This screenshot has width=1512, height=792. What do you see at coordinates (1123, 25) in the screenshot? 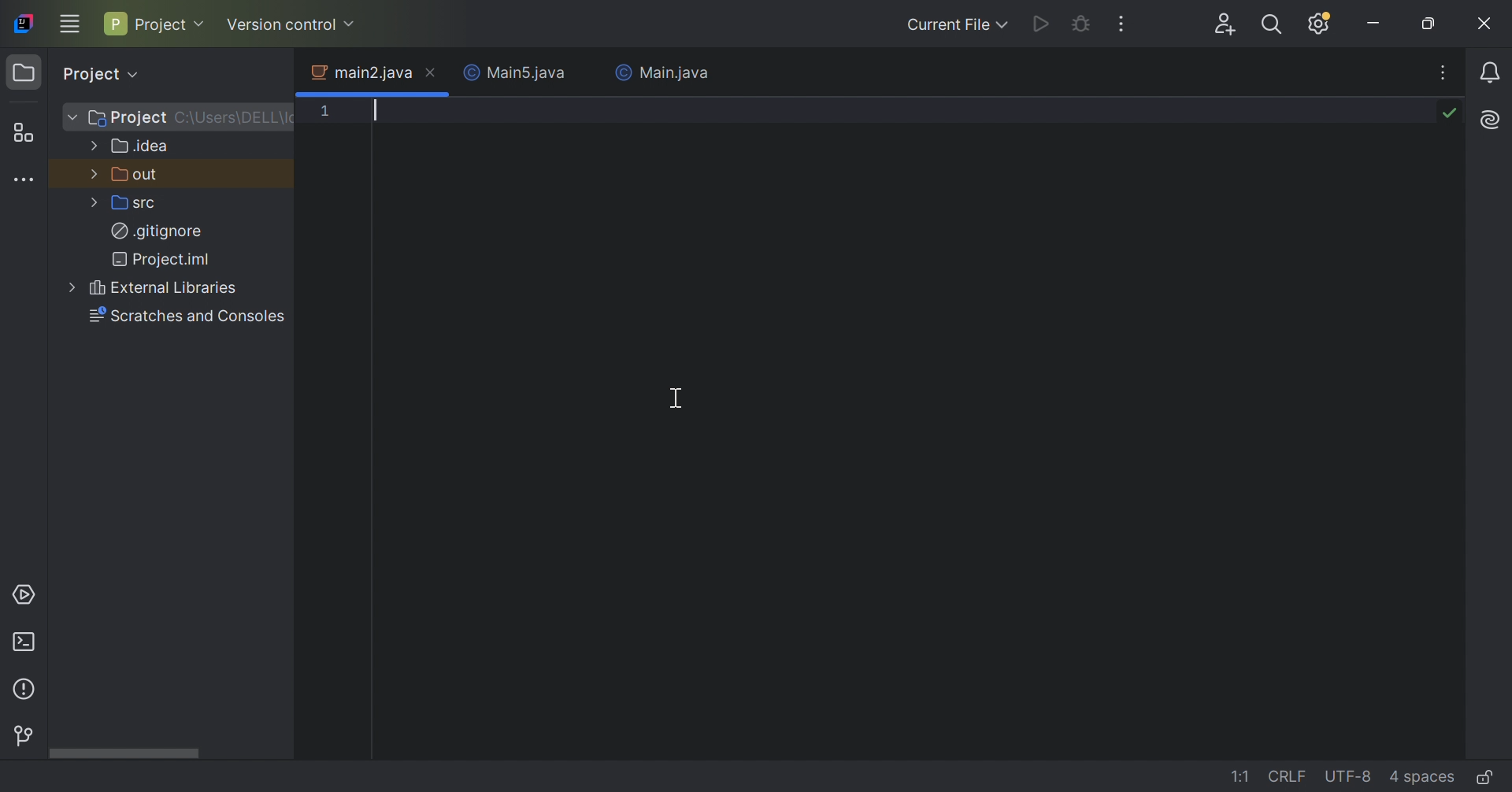
I see `More actions` at bounding box center [1123, 25].